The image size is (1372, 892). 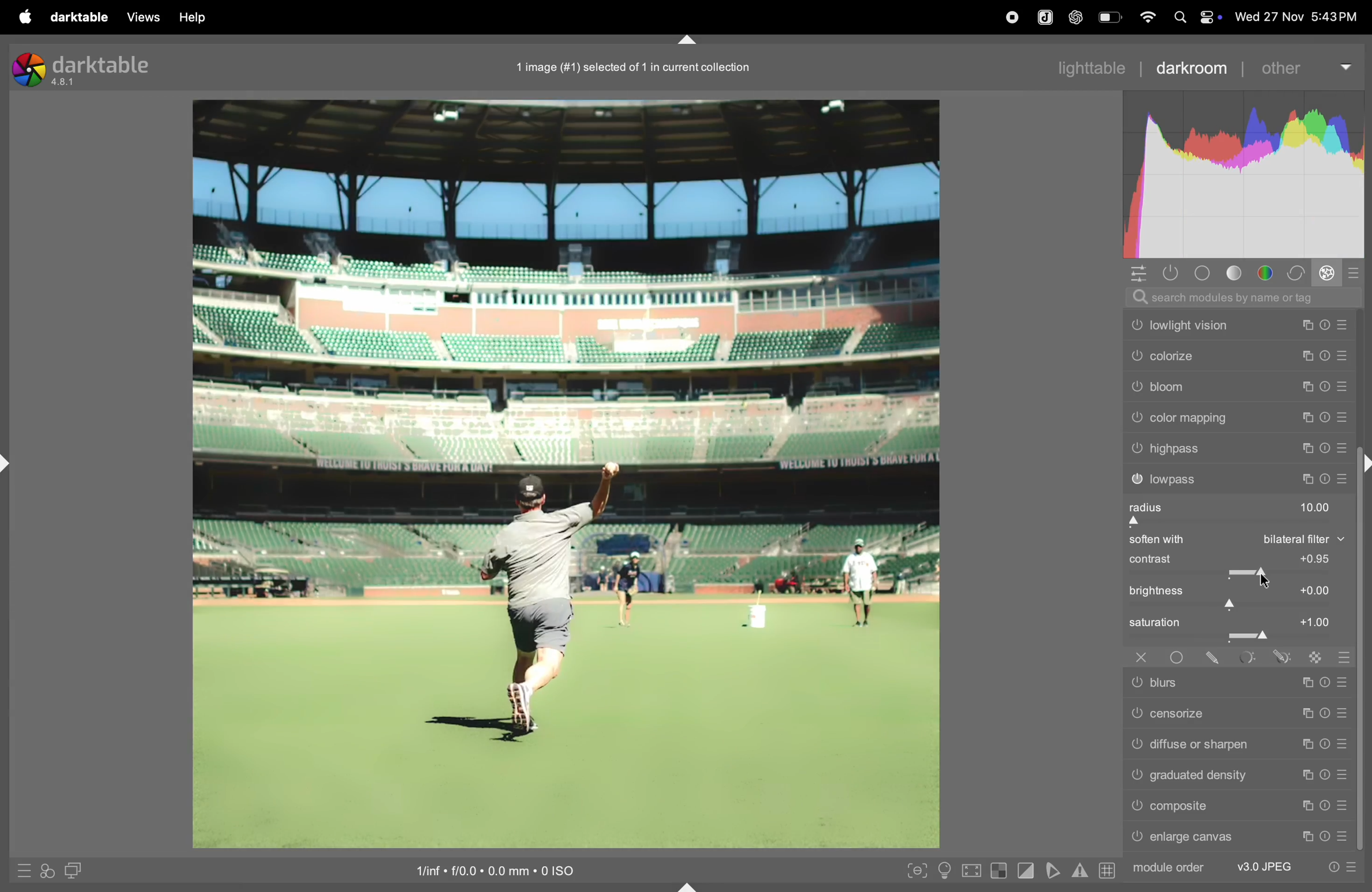 I want to click on quick acess to presets, so click(x=19, y=870).